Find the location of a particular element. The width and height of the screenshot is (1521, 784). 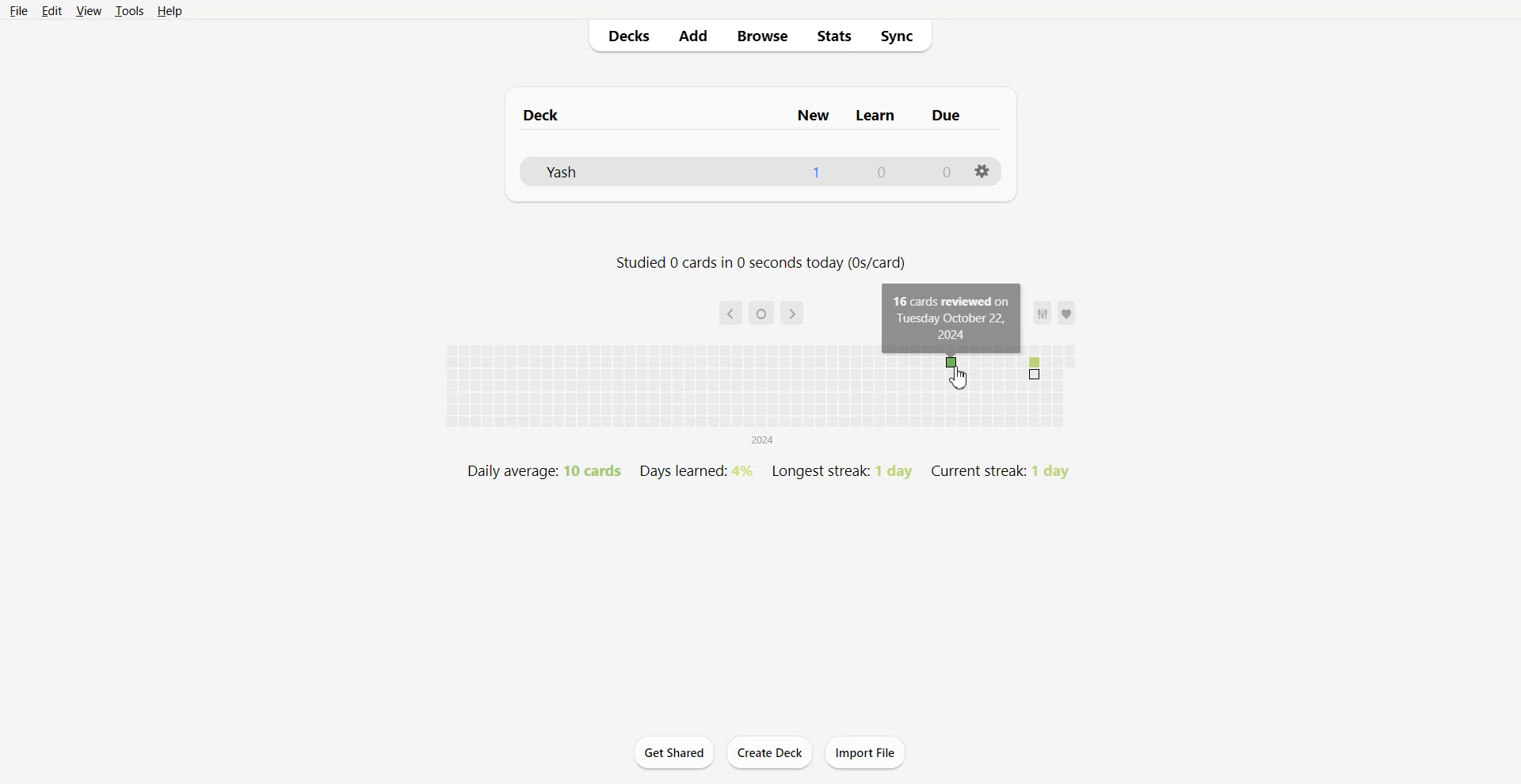

daily average: 10 cards is located at coordinates (543, 470).